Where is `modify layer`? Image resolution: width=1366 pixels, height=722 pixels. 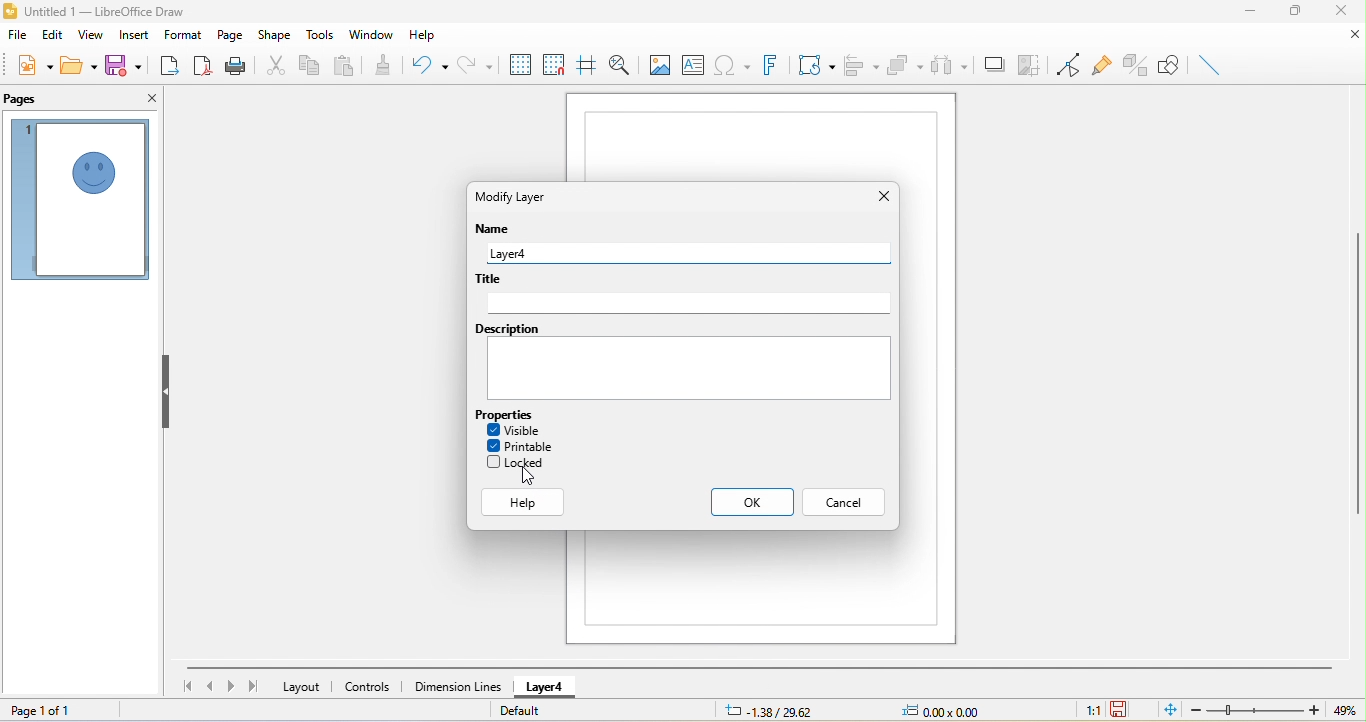 modify layer is located at coordinates (524, 196).